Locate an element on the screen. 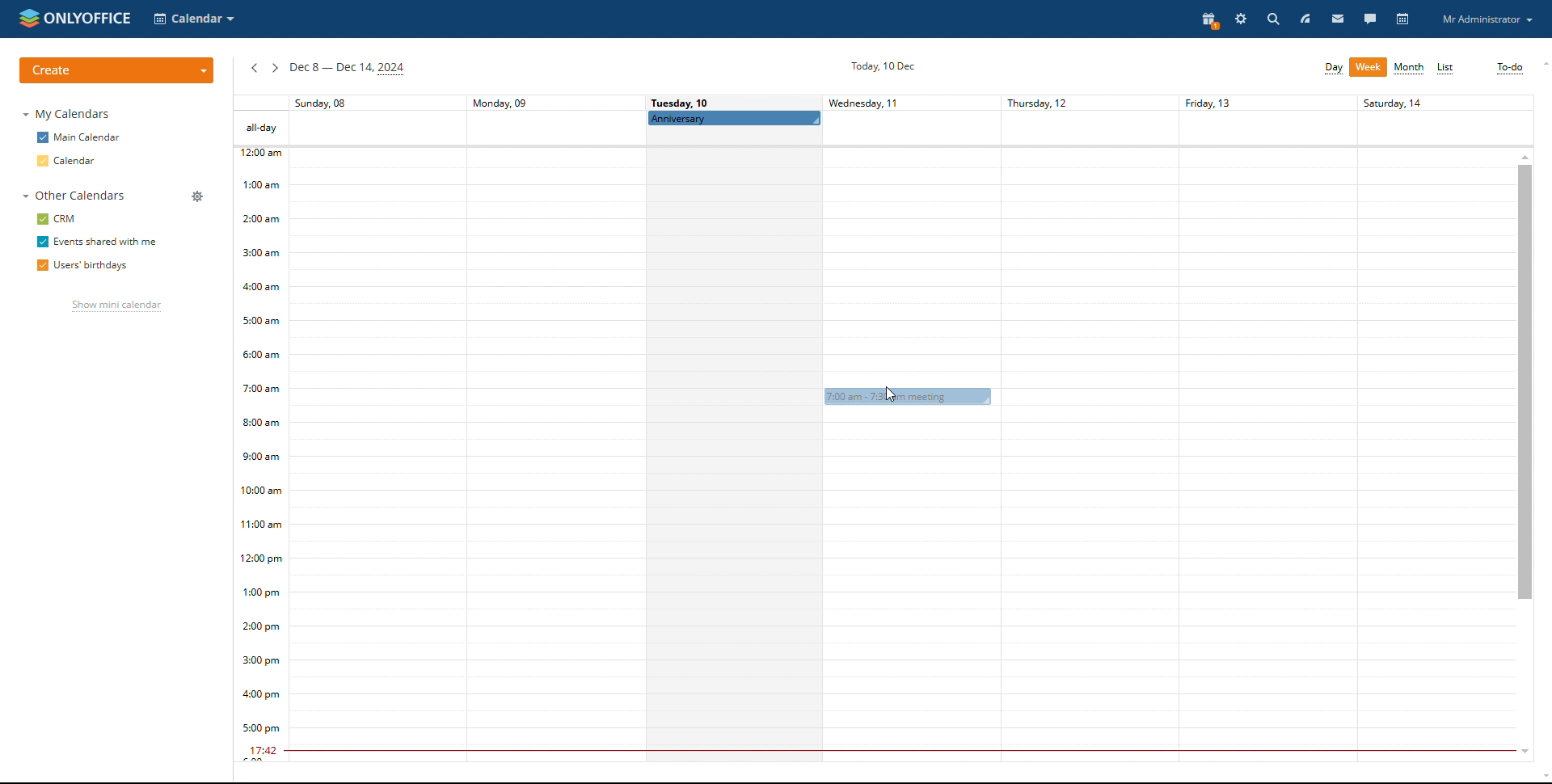 The width and height of the screenshot is (1552, 784). next week is located at coordinates (275, 69).